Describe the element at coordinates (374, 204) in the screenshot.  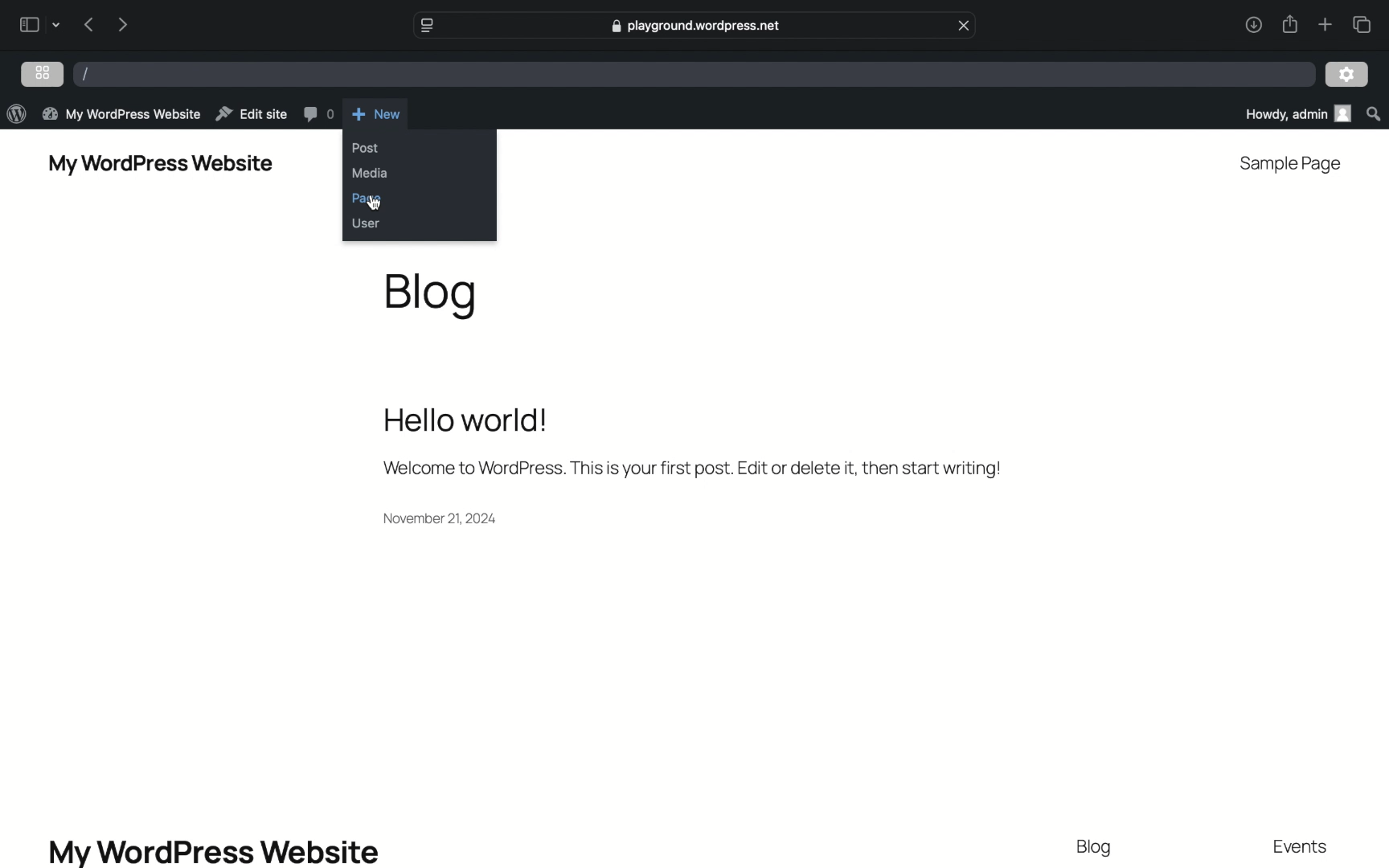
I see `cursor` at that location.